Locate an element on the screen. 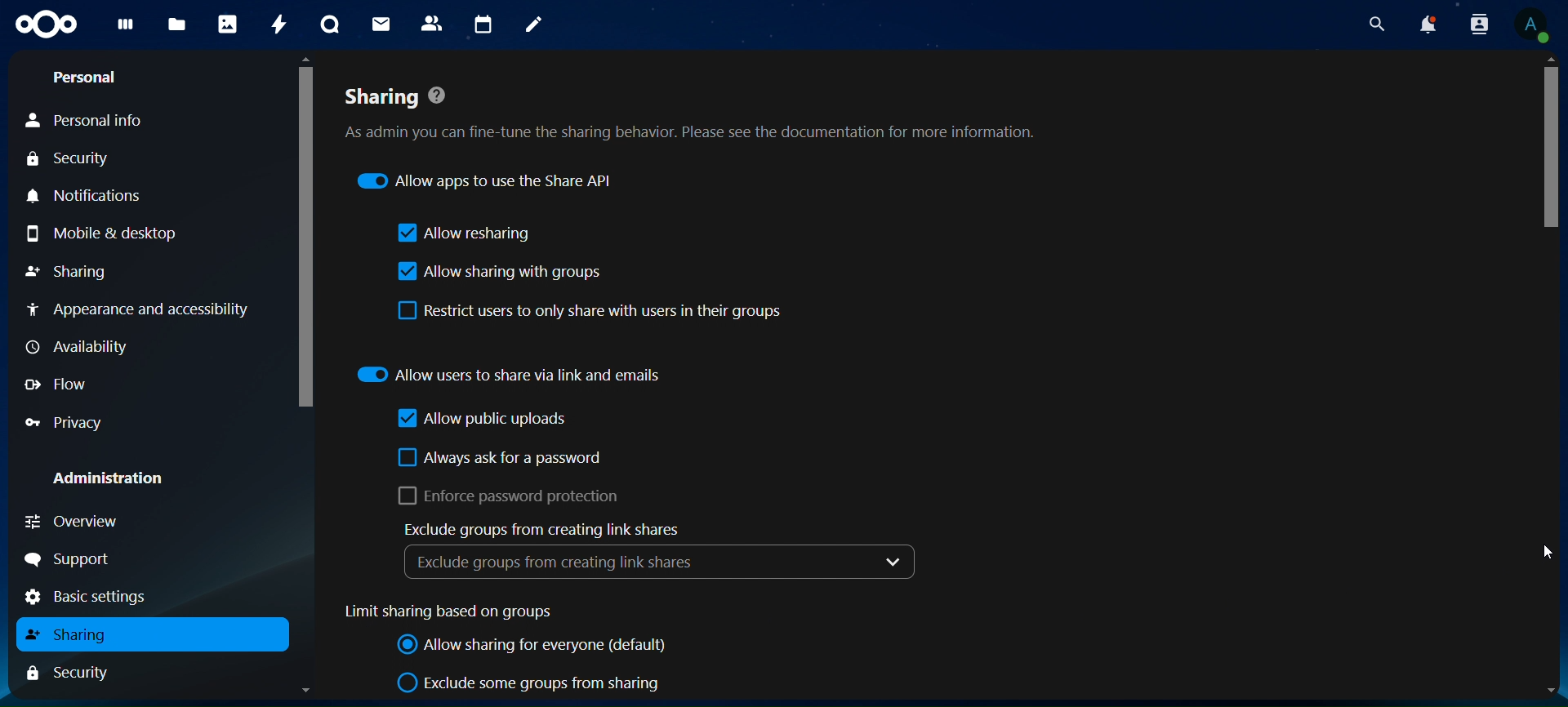 The image size is (1568, 707). search contacts is located at coordinates (1478, 25).